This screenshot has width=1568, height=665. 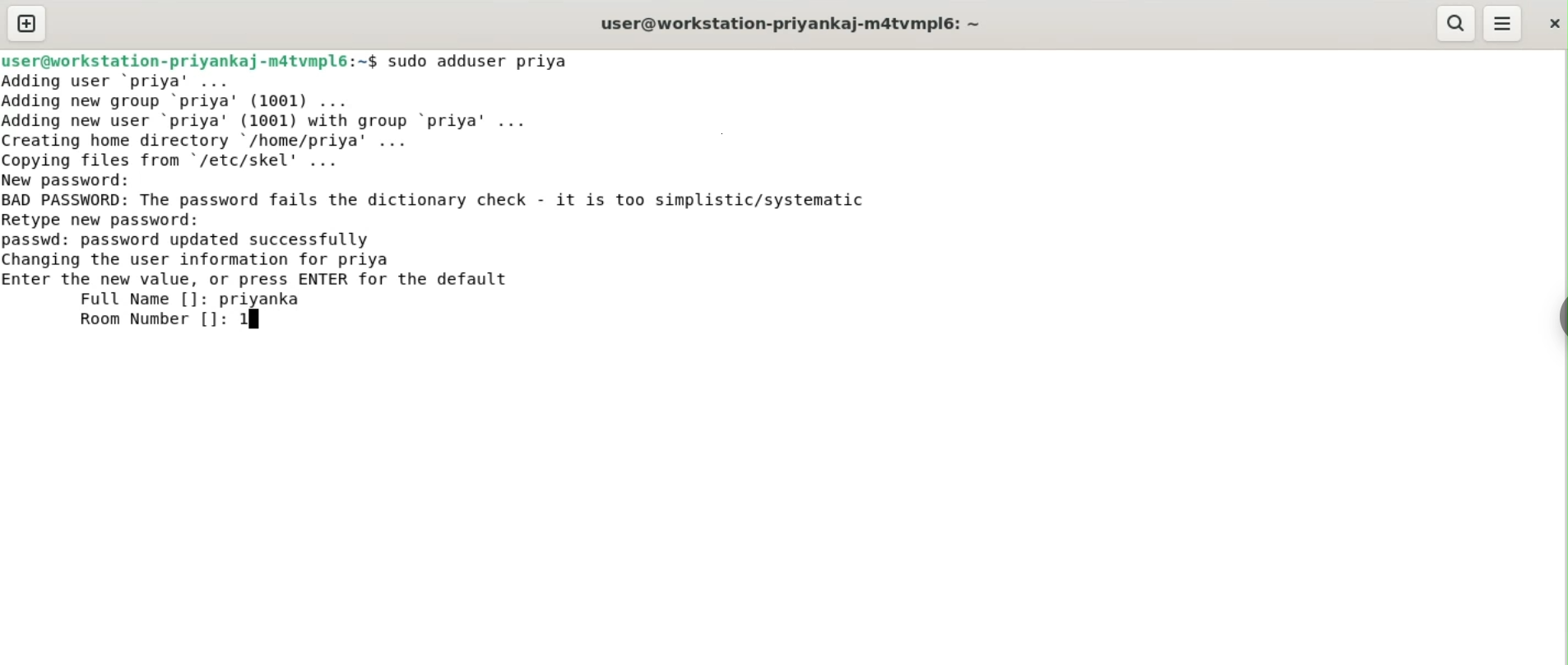 I want to click on user@workstation-priyankaj-m4tvmpl6: ~, so click(x=791, y=26).